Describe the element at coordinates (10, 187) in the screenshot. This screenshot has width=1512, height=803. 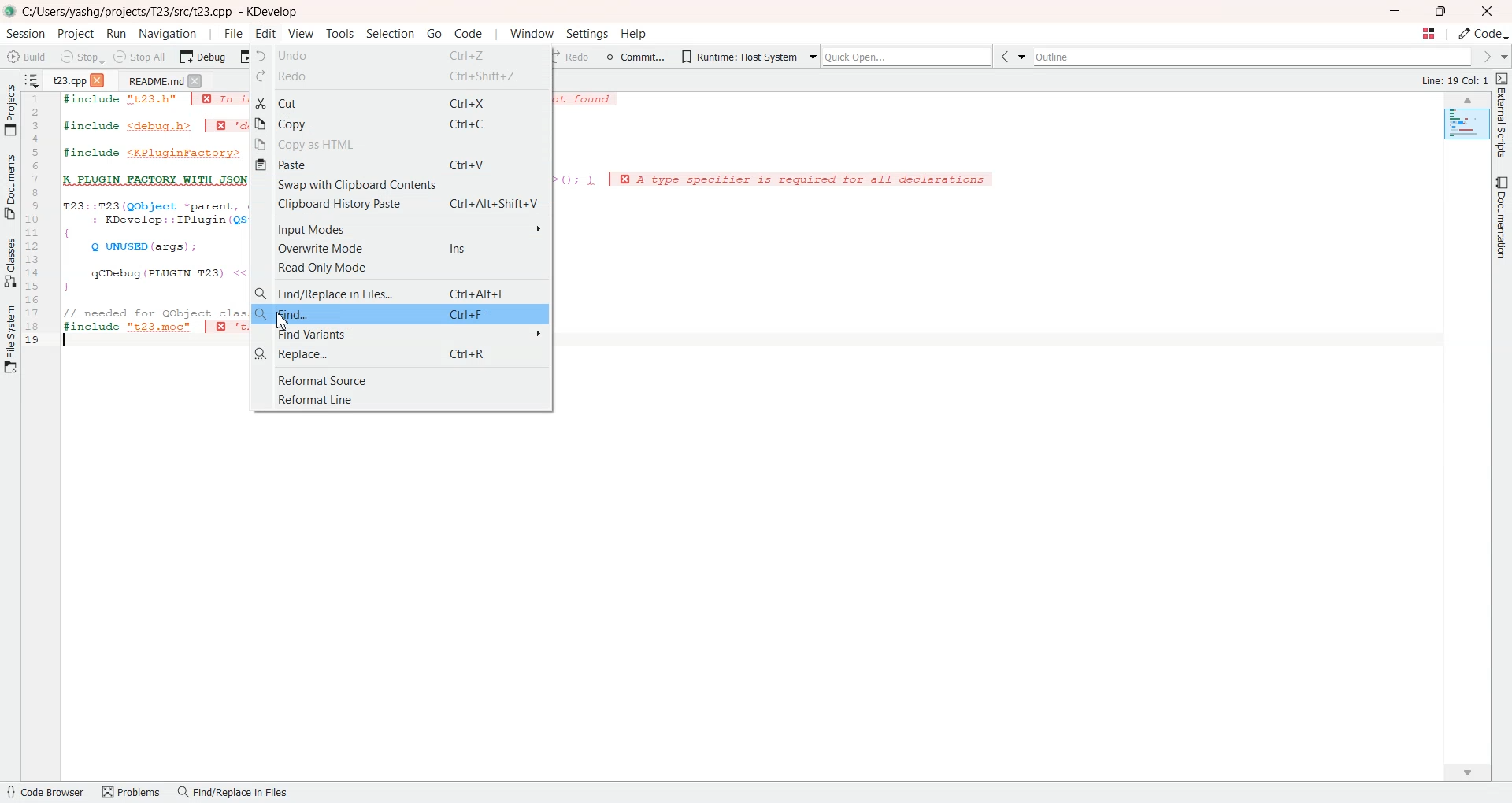
I see `Documents` at that location.